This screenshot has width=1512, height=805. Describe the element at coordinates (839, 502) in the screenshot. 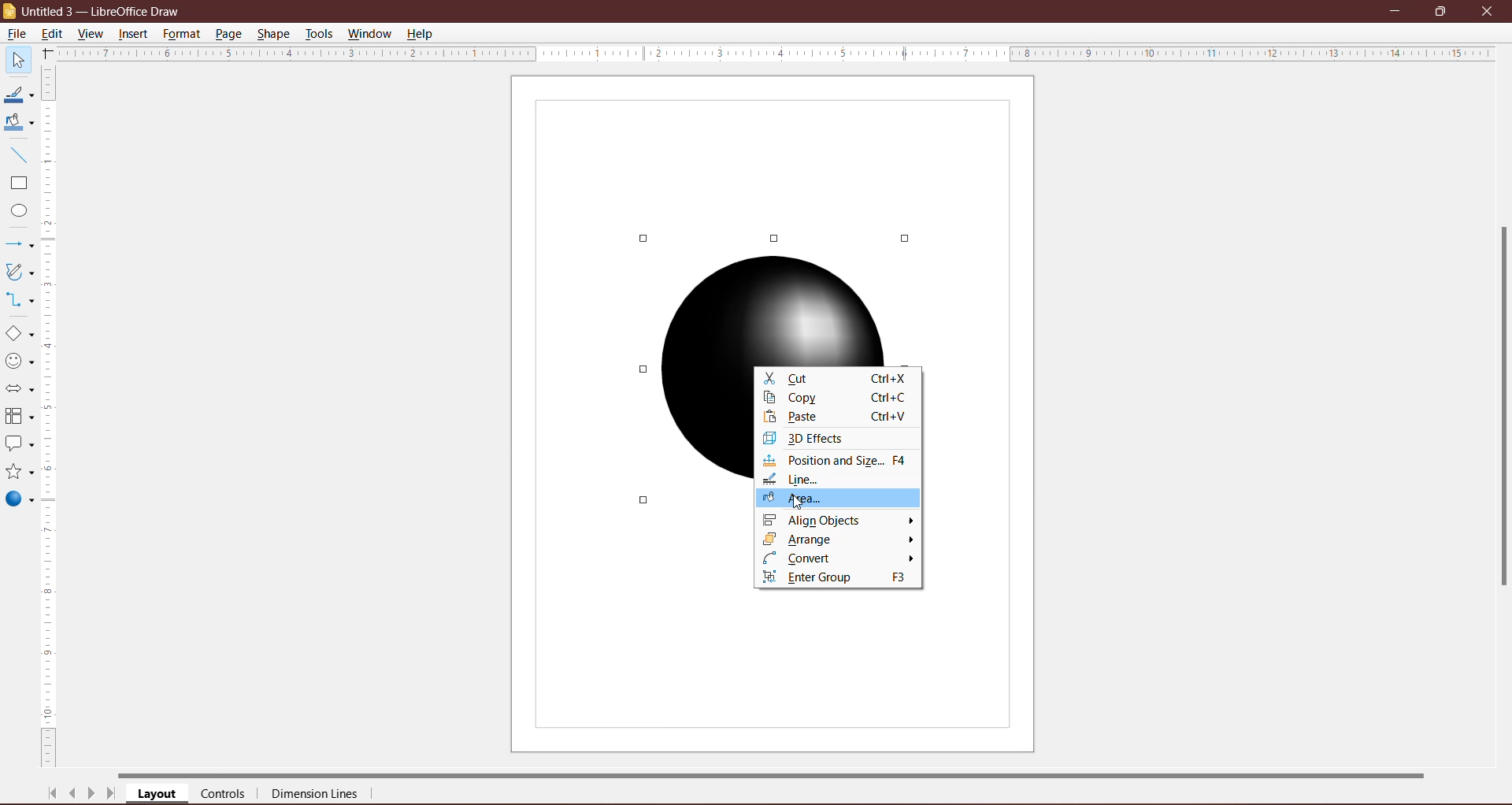

I see `Area` at that location.